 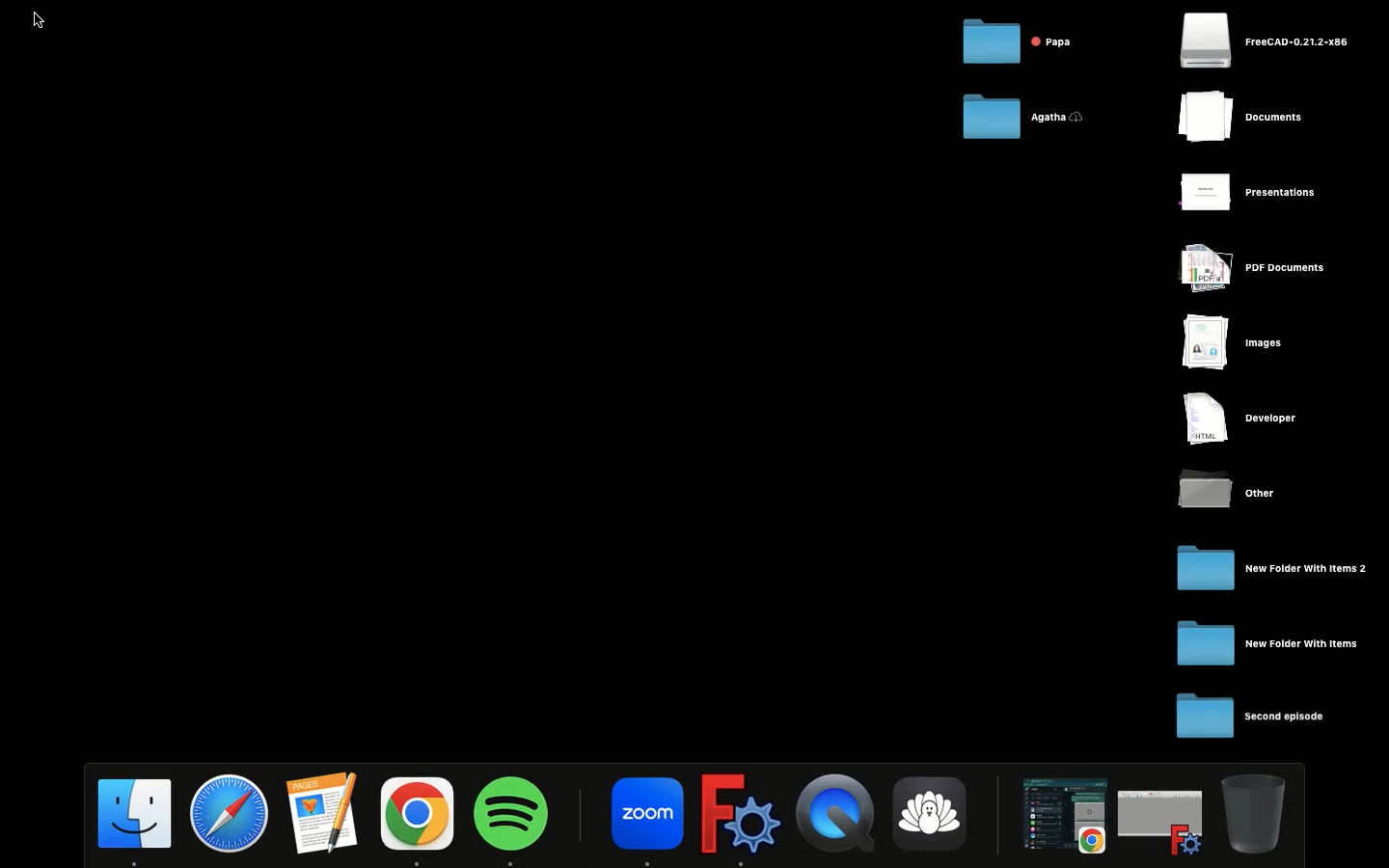 What do you see at coordinates (1257, 814) in the screenshot?
I see `Trash` at bounding box center [1257, 814].